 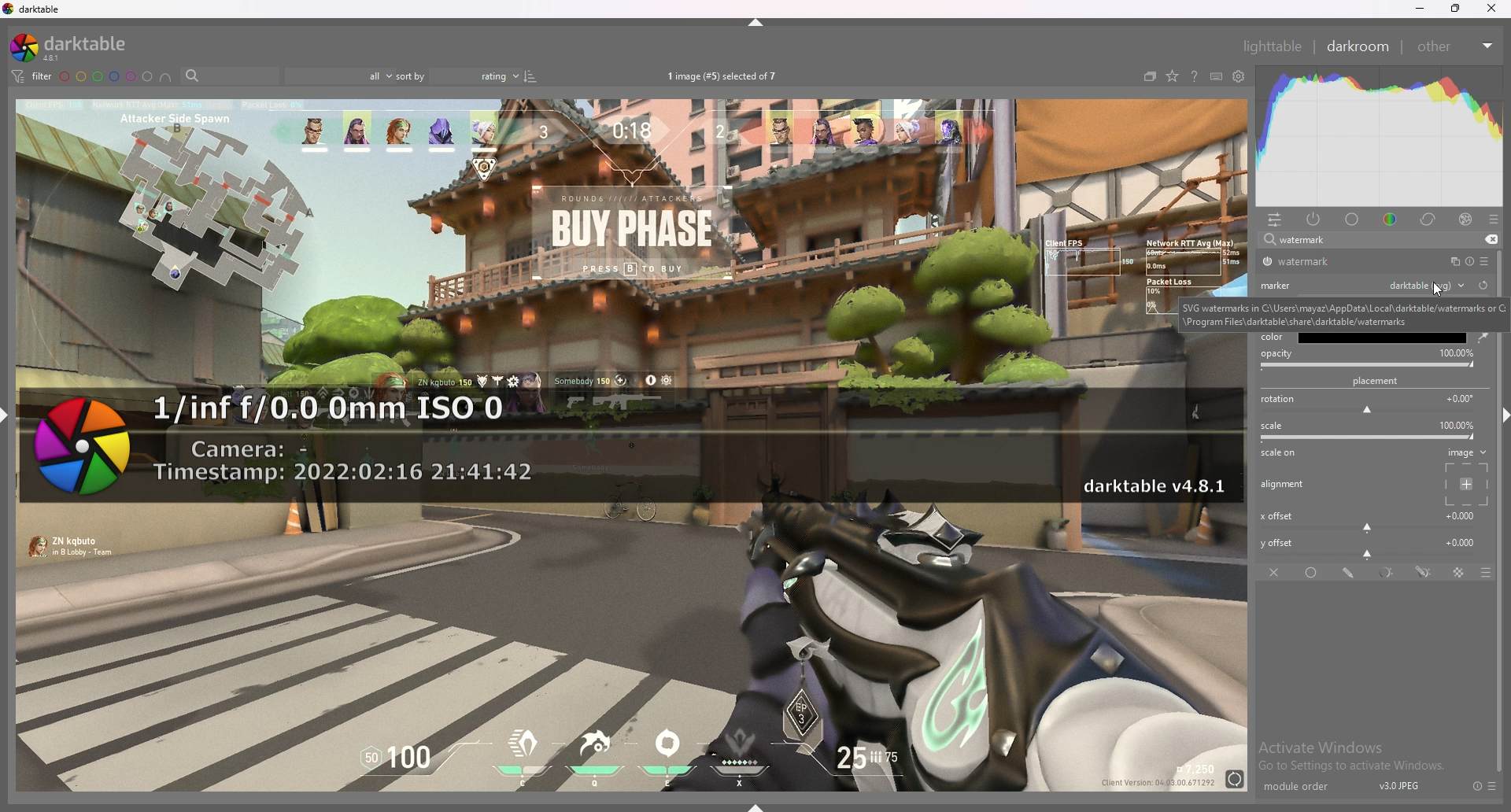 I want to click on blending options, so click(x=1478, y=573).